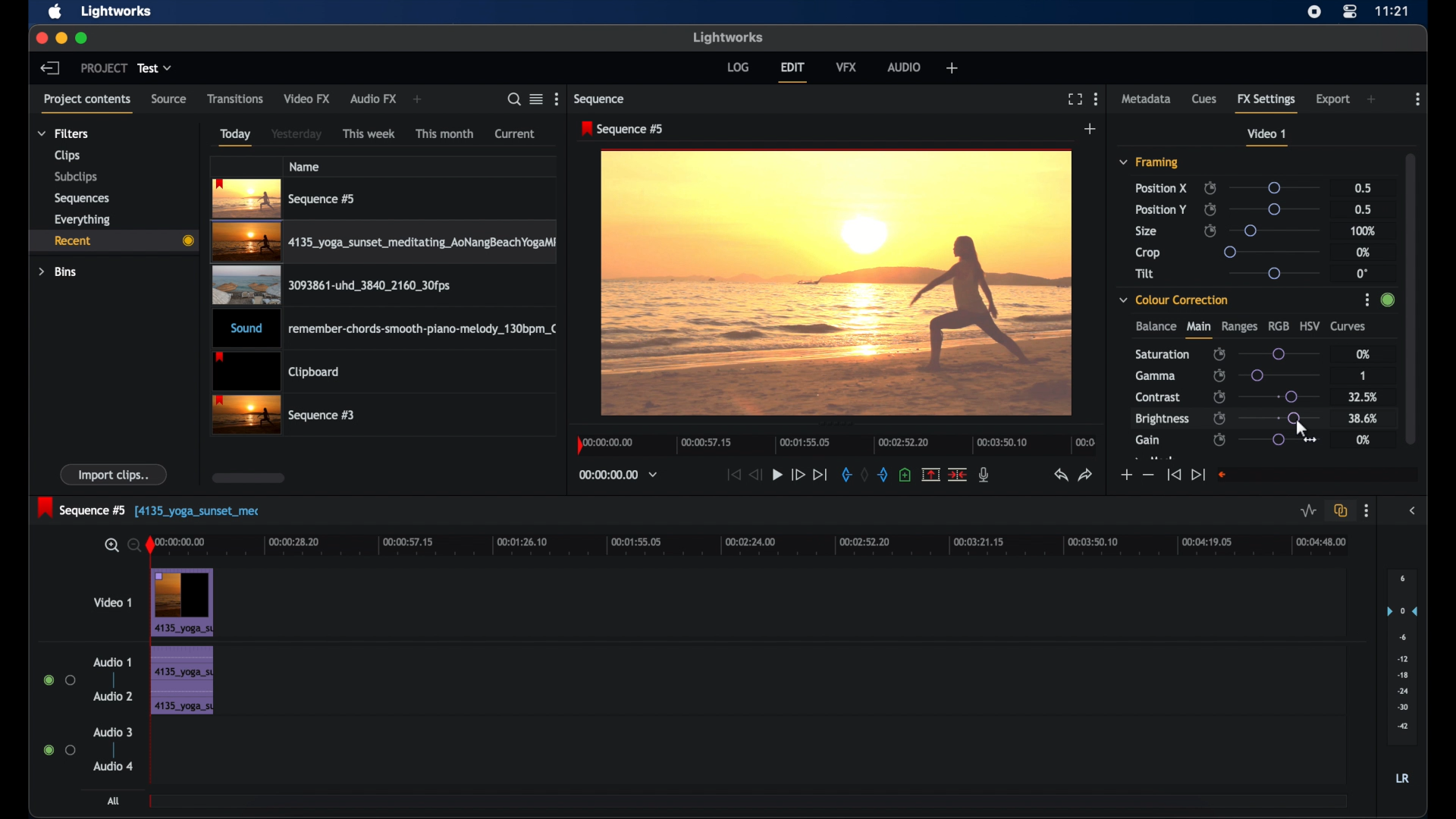  What do you see at coordinates (1279, 375) in the screenshot?
I see `slider` at bounding box center [1279, 375].